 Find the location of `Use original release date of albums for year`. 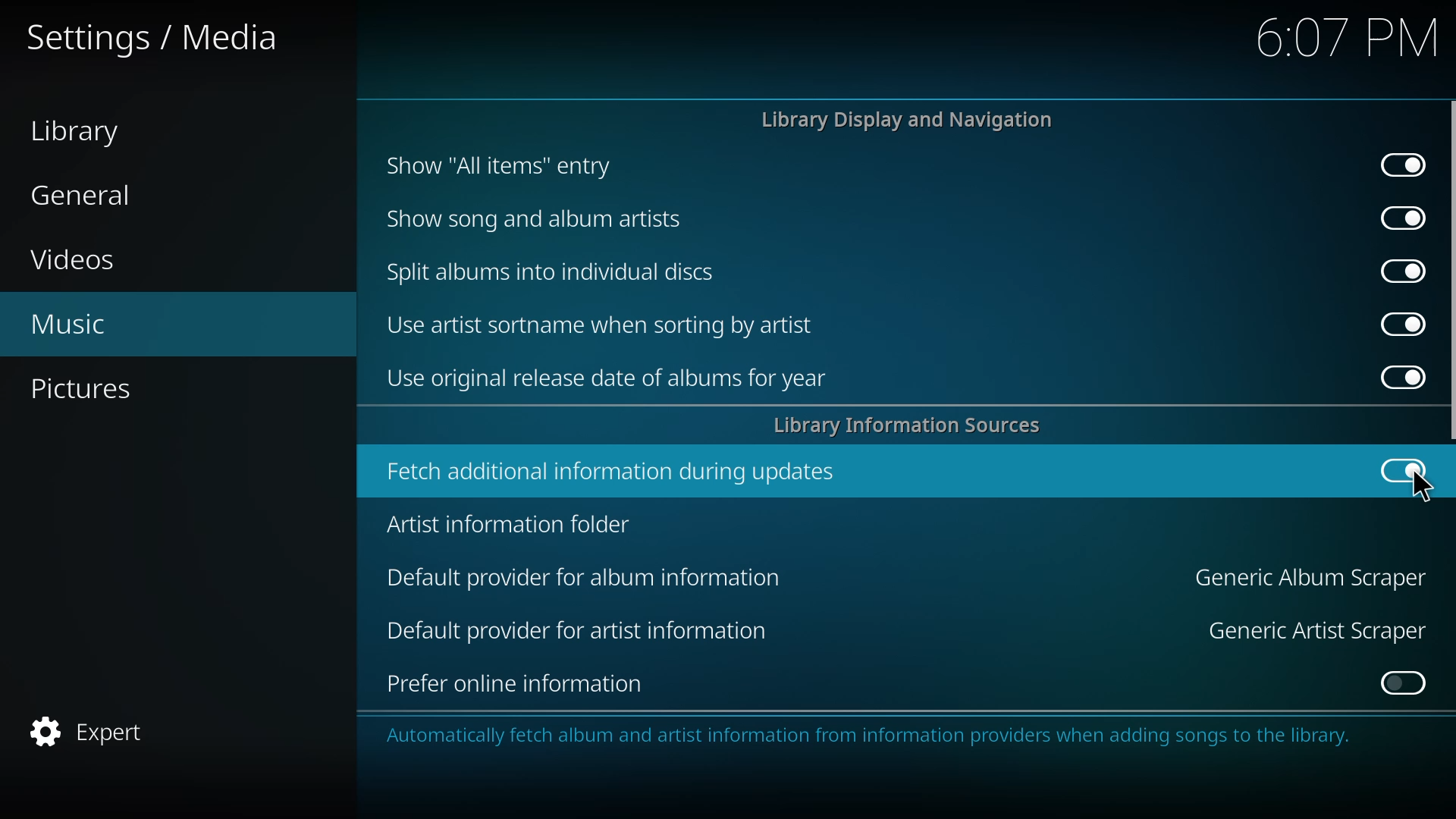

Use original release date of albums for year is located at coordinates (612, 379).